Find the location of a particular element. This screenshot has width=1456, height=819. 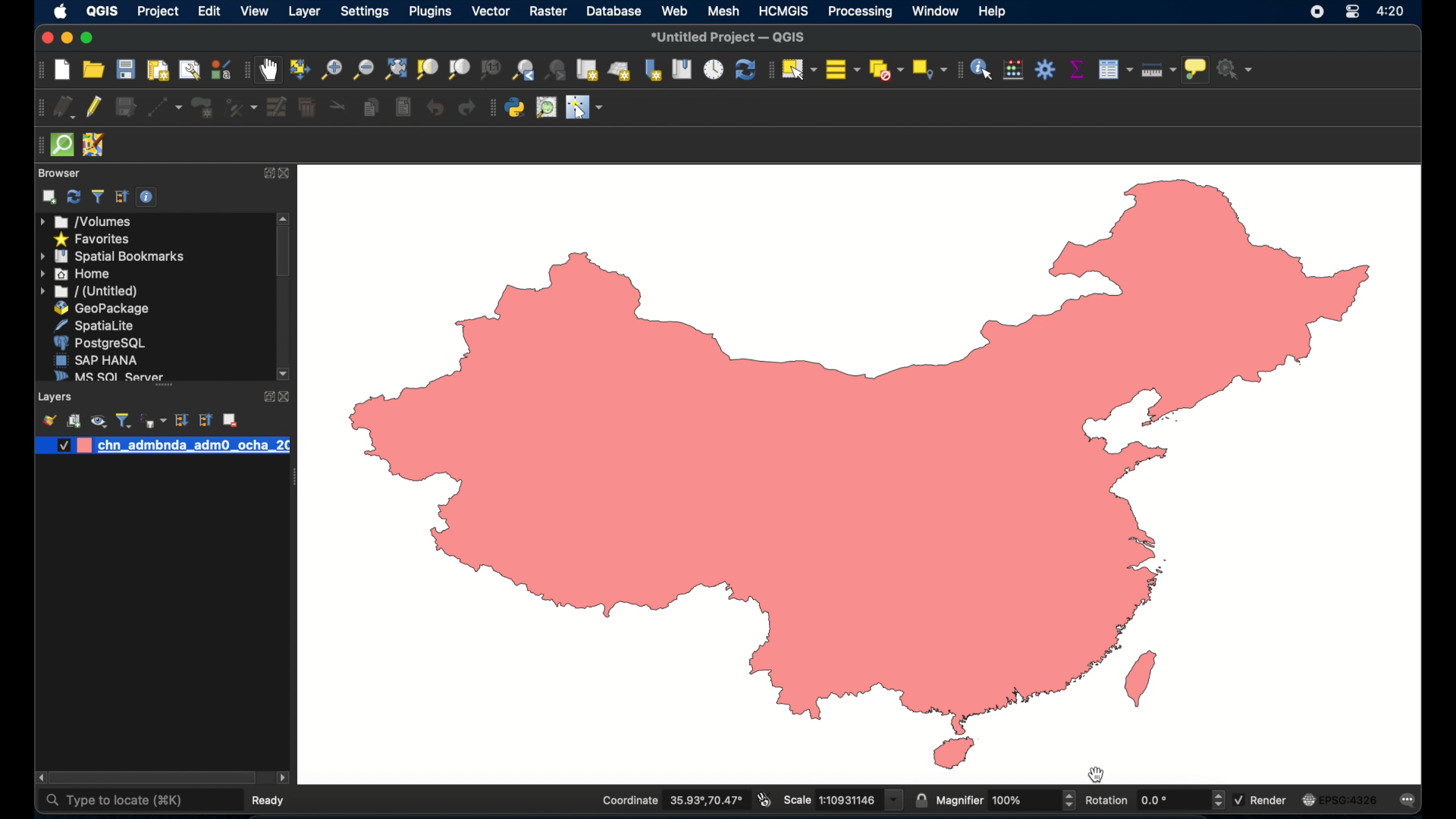

show statistical summary is located at coordinates (1076, 71).